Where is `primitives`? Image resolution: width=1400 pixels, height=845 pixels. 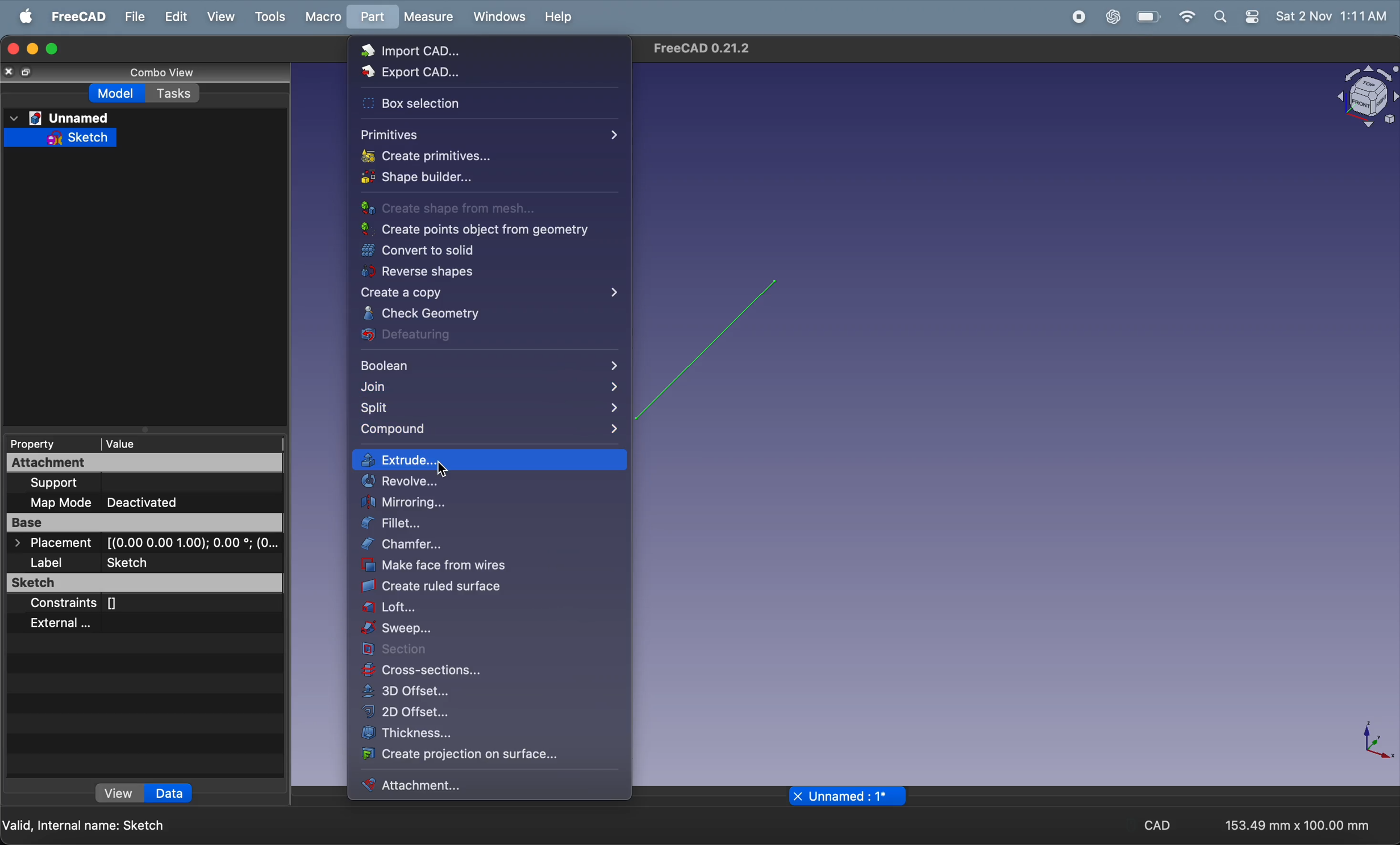 primitives is located at coordinates (487, 133).